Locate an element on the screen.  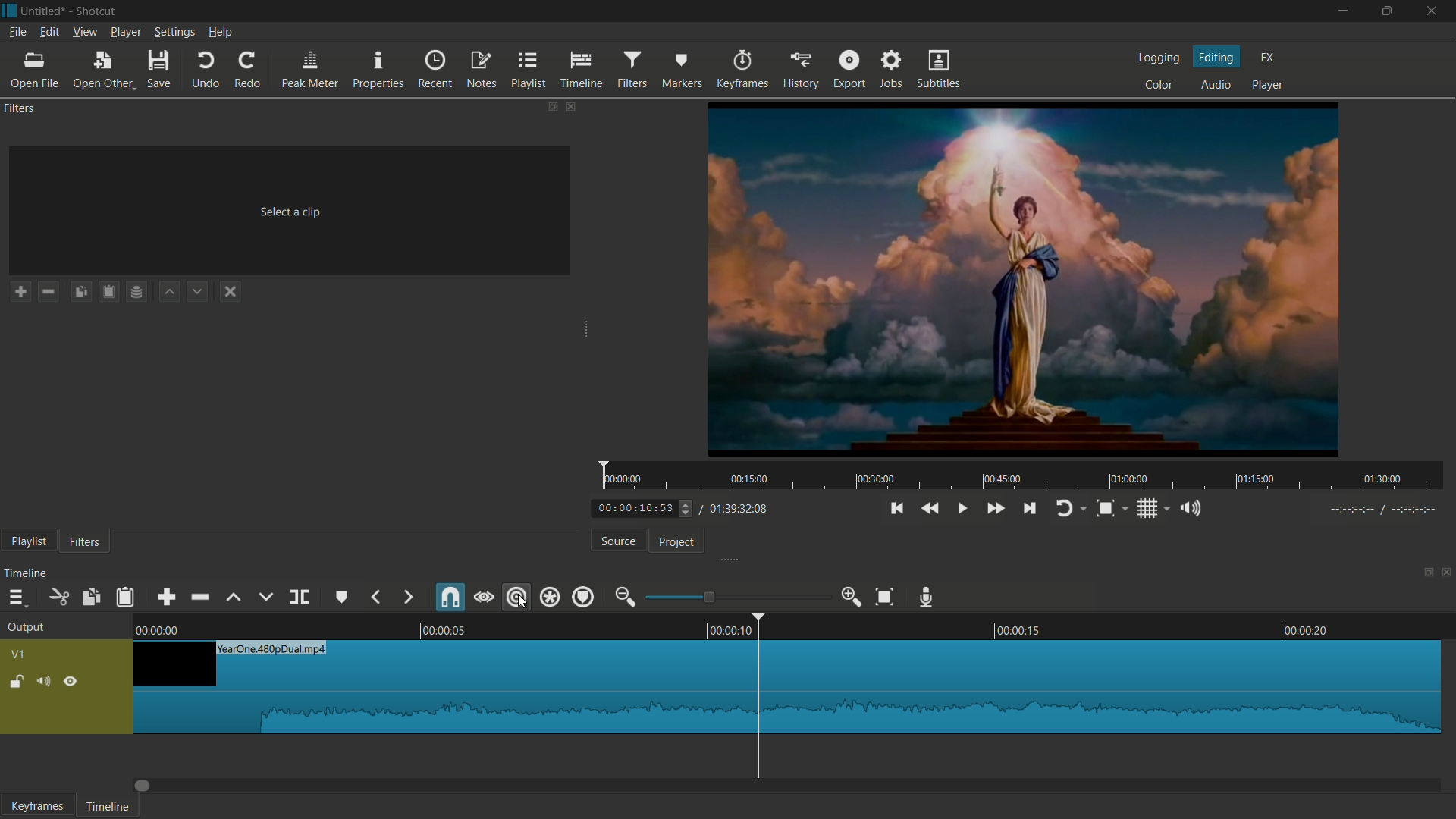
quickly play forward is located at coordinates (997, 509).